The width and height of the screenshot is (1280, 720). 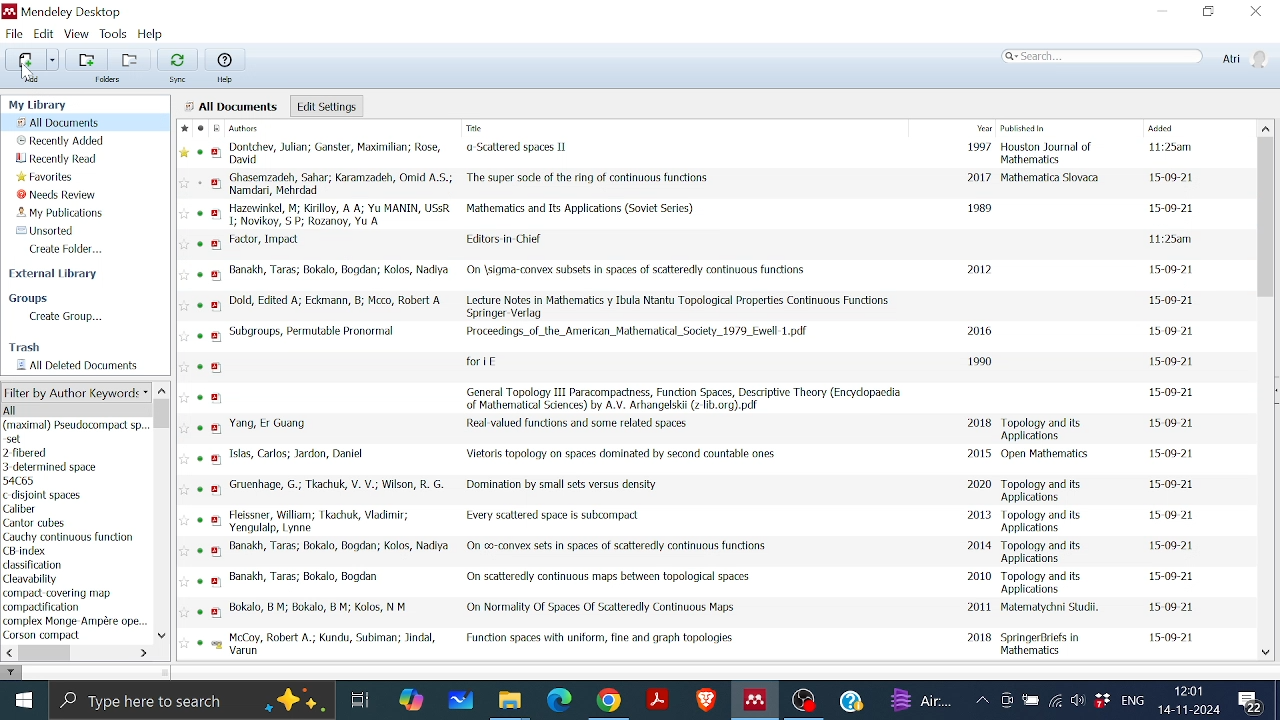 I want to click on Favorites, so click(x=63, y=178).